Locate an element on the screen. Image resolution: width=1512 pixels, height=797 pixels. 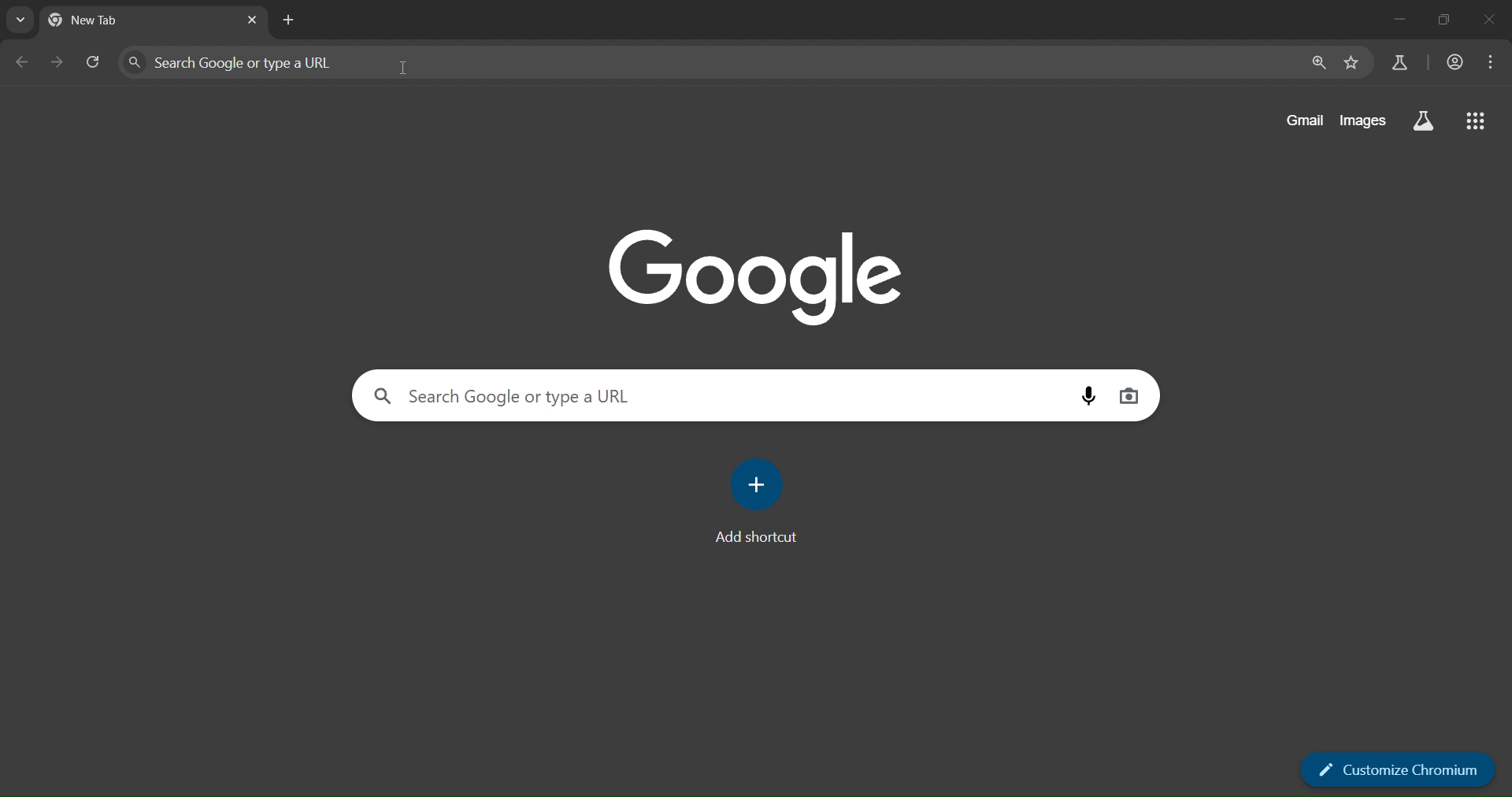
minimize is located at coordinates (1403, 19).